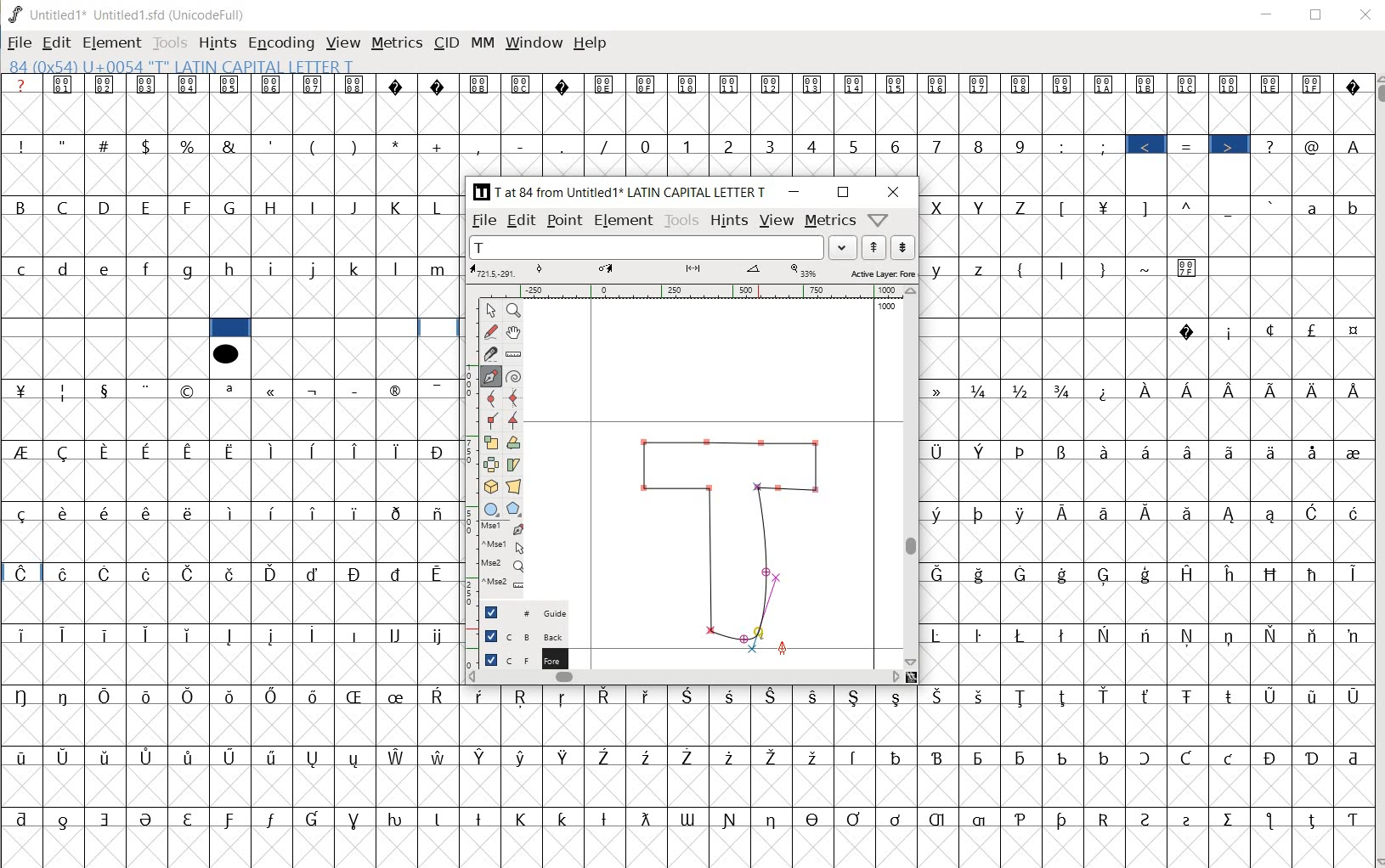 This screenshot has width=1385, height=868. What do you see at coordinates (230, 84) in the screenshot?
I see `Symbol` at bounding box center [230, 84].